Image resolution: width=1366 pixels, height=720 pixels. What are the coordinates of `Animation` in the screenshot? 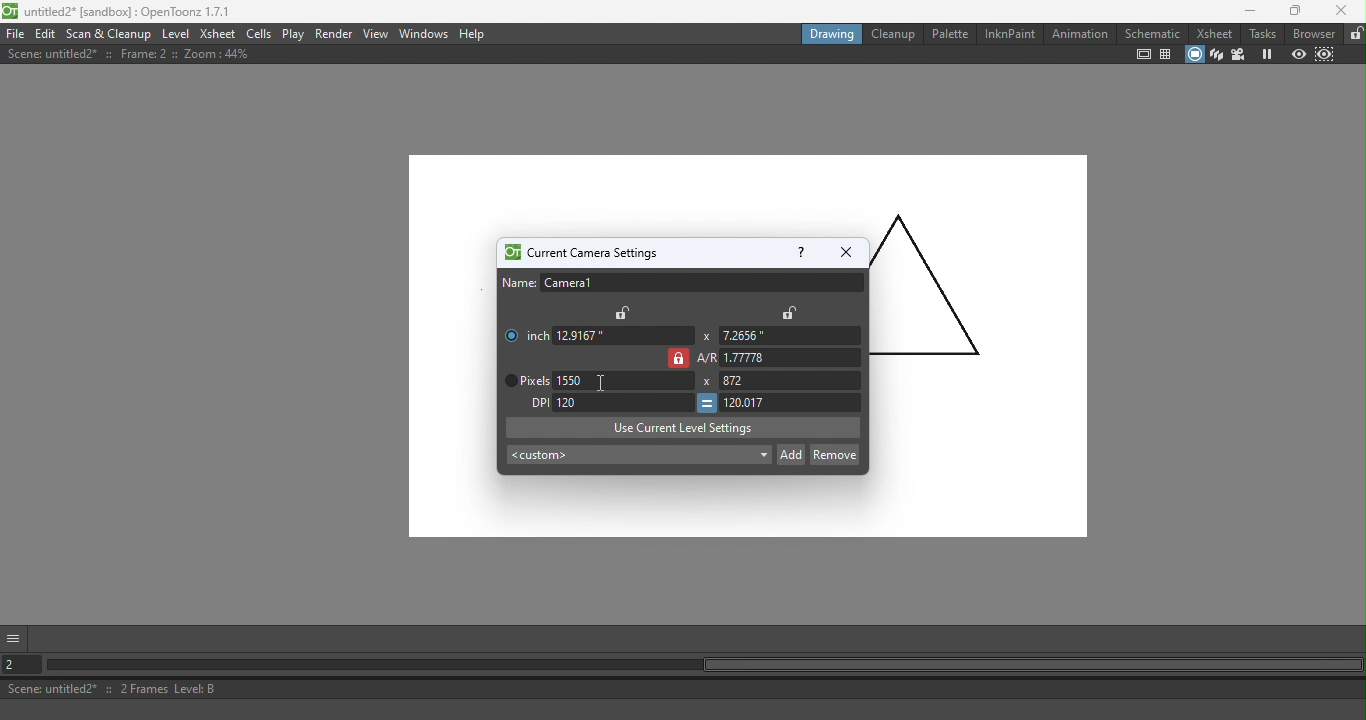 It's located at (1078, 33).